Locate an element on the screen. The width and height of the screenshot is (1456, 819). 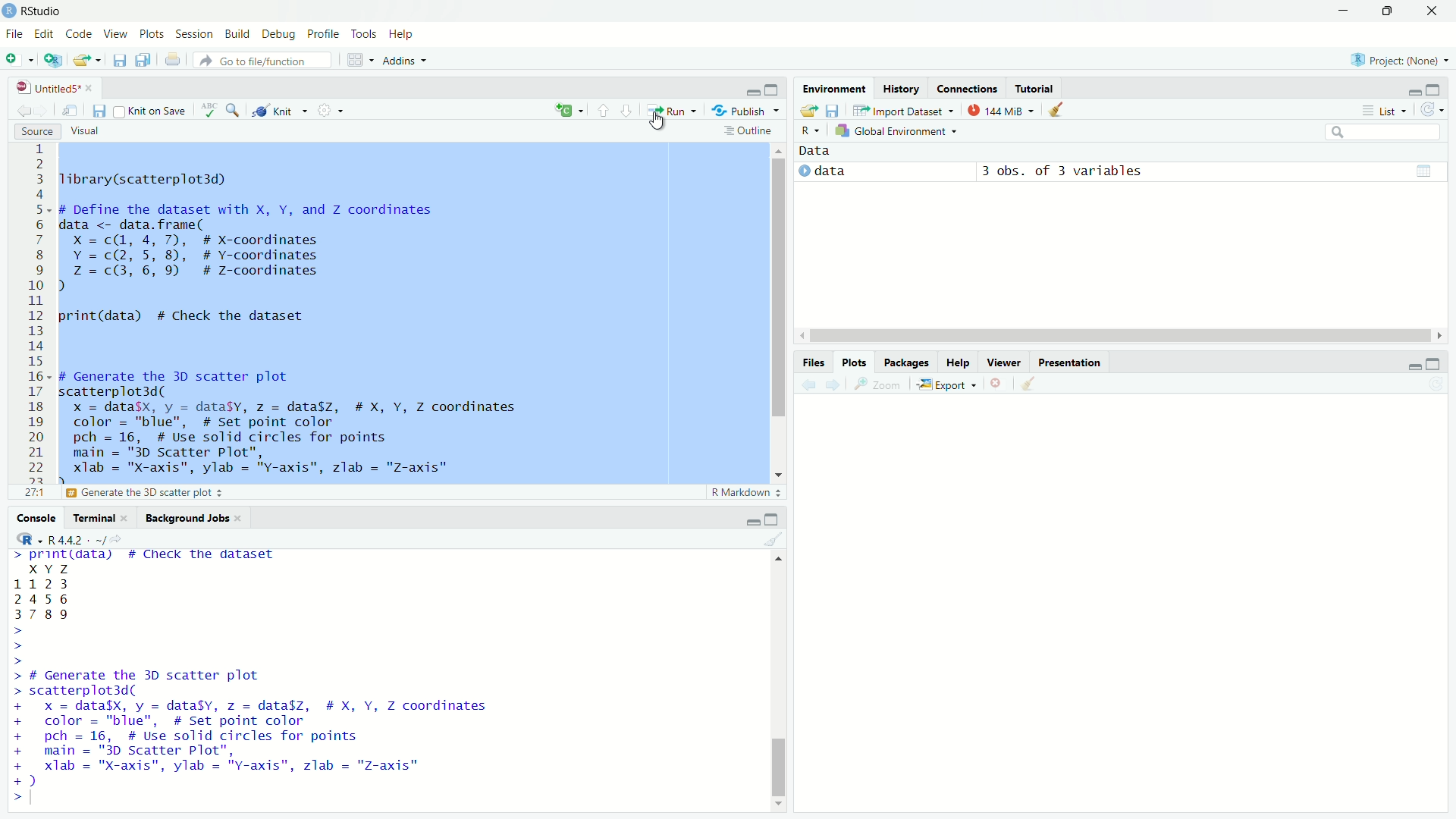
R 4.4.2 . ~/ is located at coordinates (77, 540).